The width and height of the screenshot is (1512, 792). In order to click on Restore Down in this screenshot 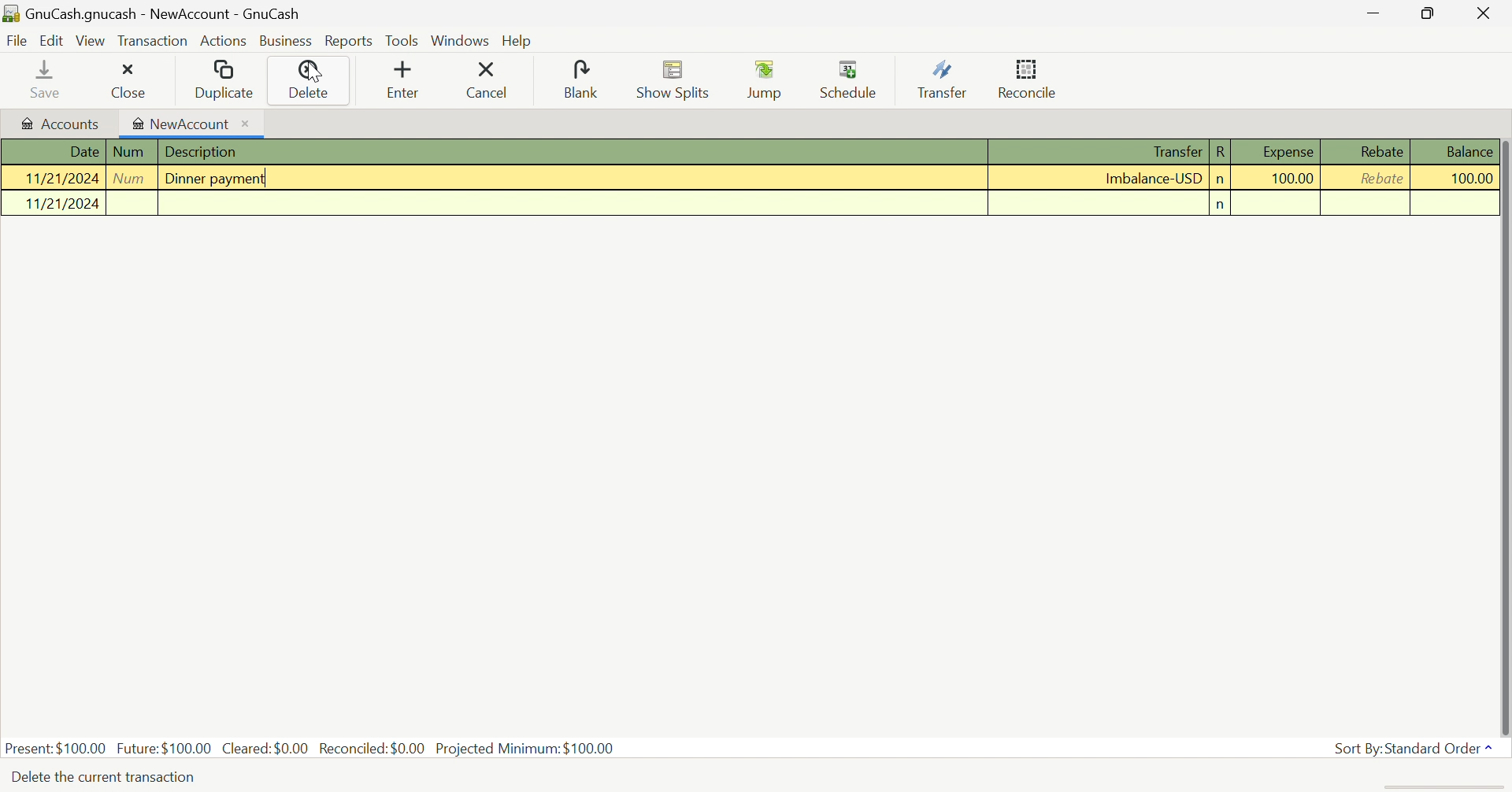, I will do `click(1425, 14)`.